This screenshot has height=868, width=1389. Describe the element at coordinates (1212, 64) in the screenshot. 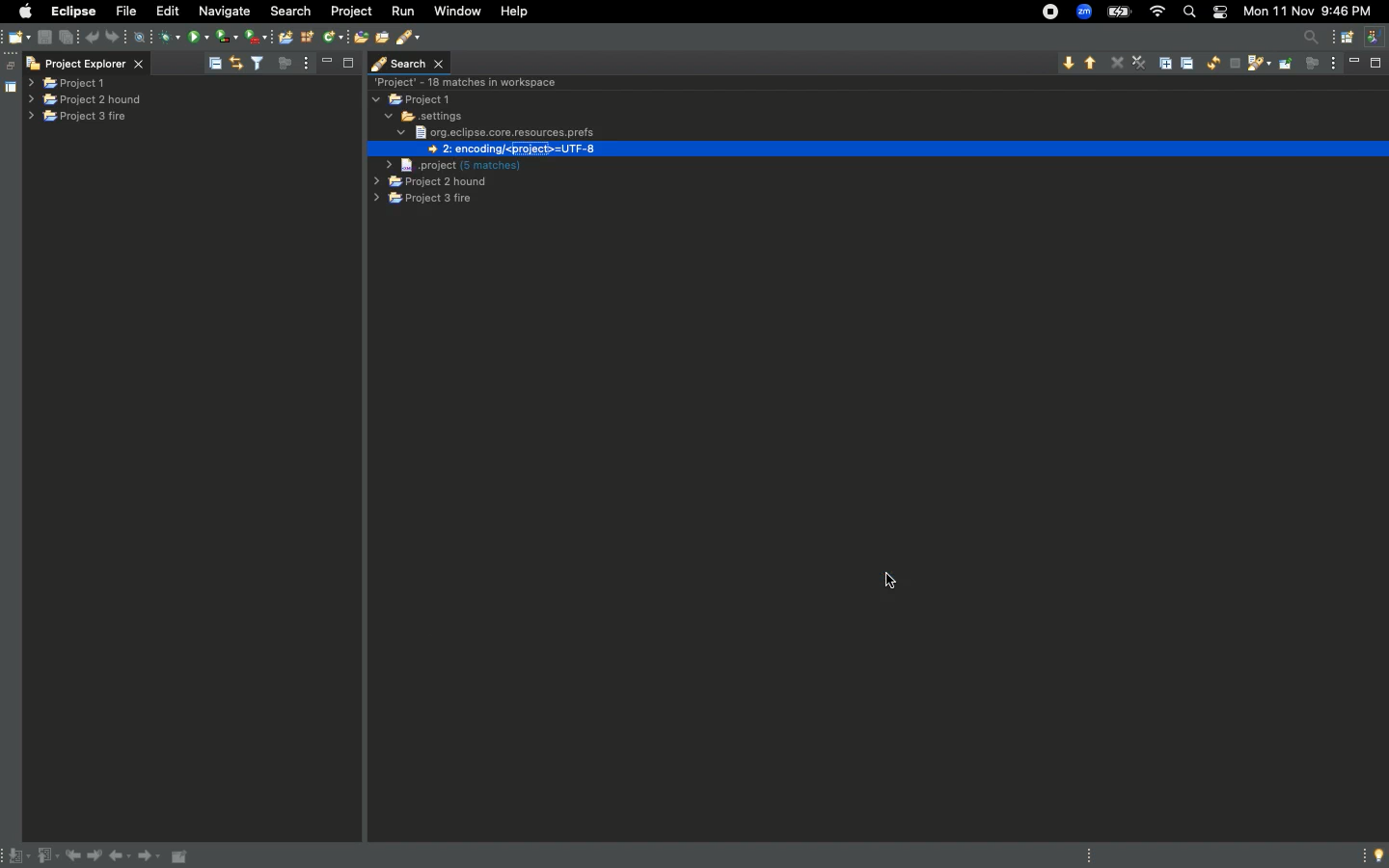

I see `Run the current search again` at that location.